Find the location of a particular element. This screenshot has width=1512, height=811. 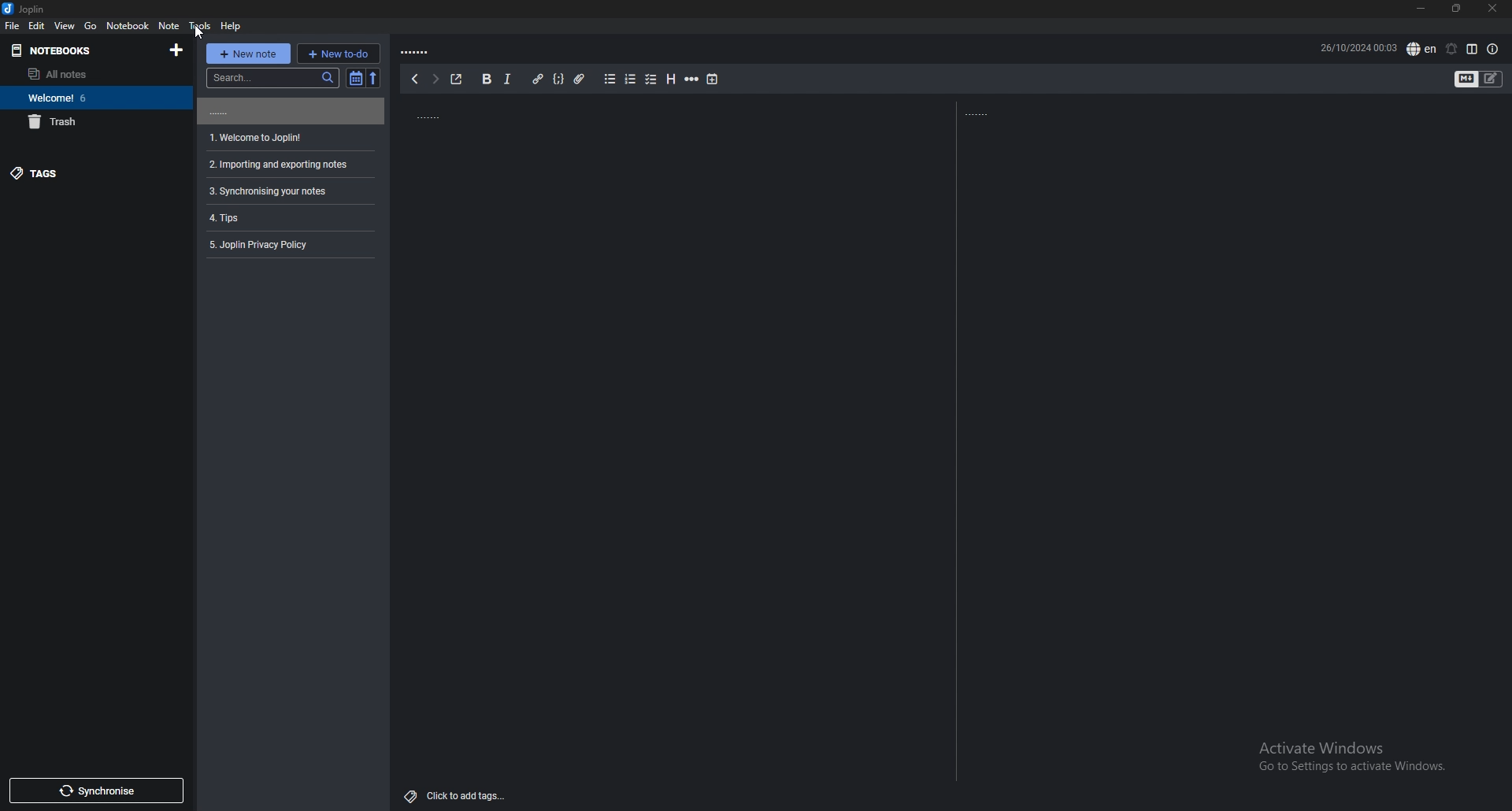

....... is located at coordinates (476, 113).